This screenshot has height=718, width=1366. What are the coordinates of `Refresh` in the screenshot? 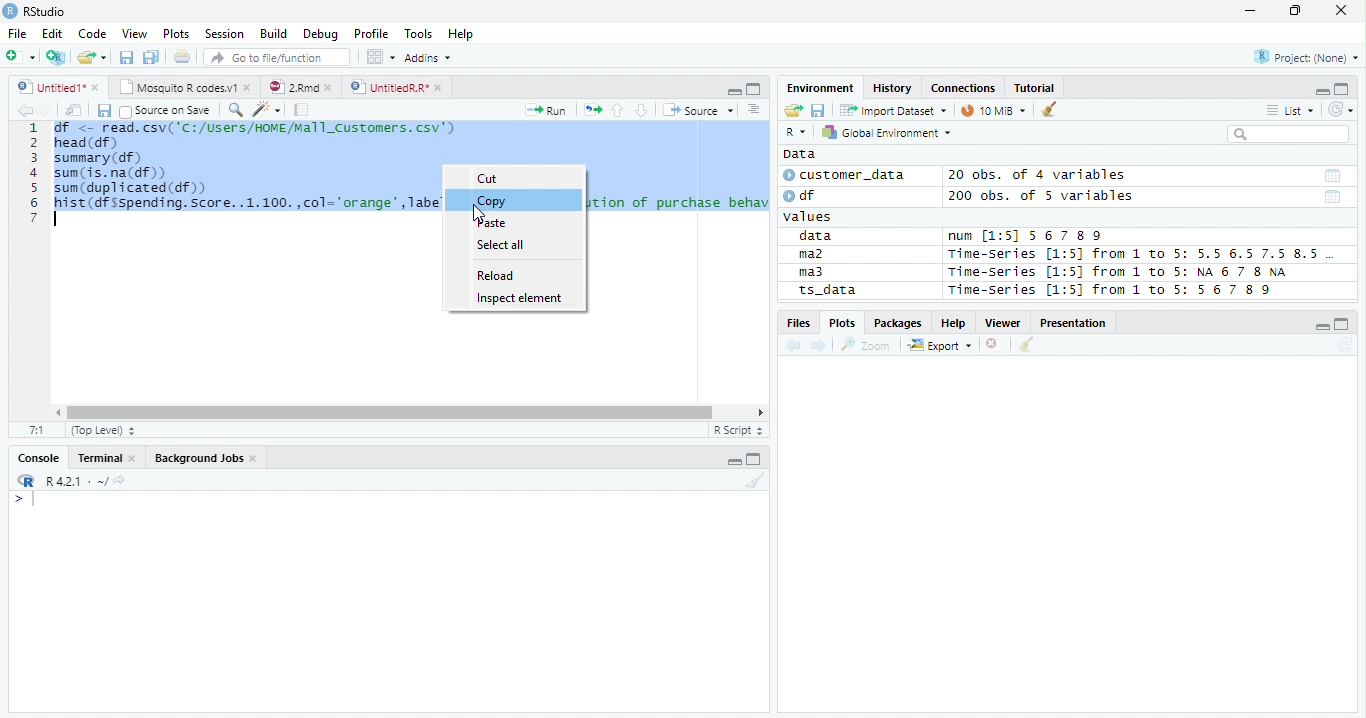 It's located at (1345, 346).